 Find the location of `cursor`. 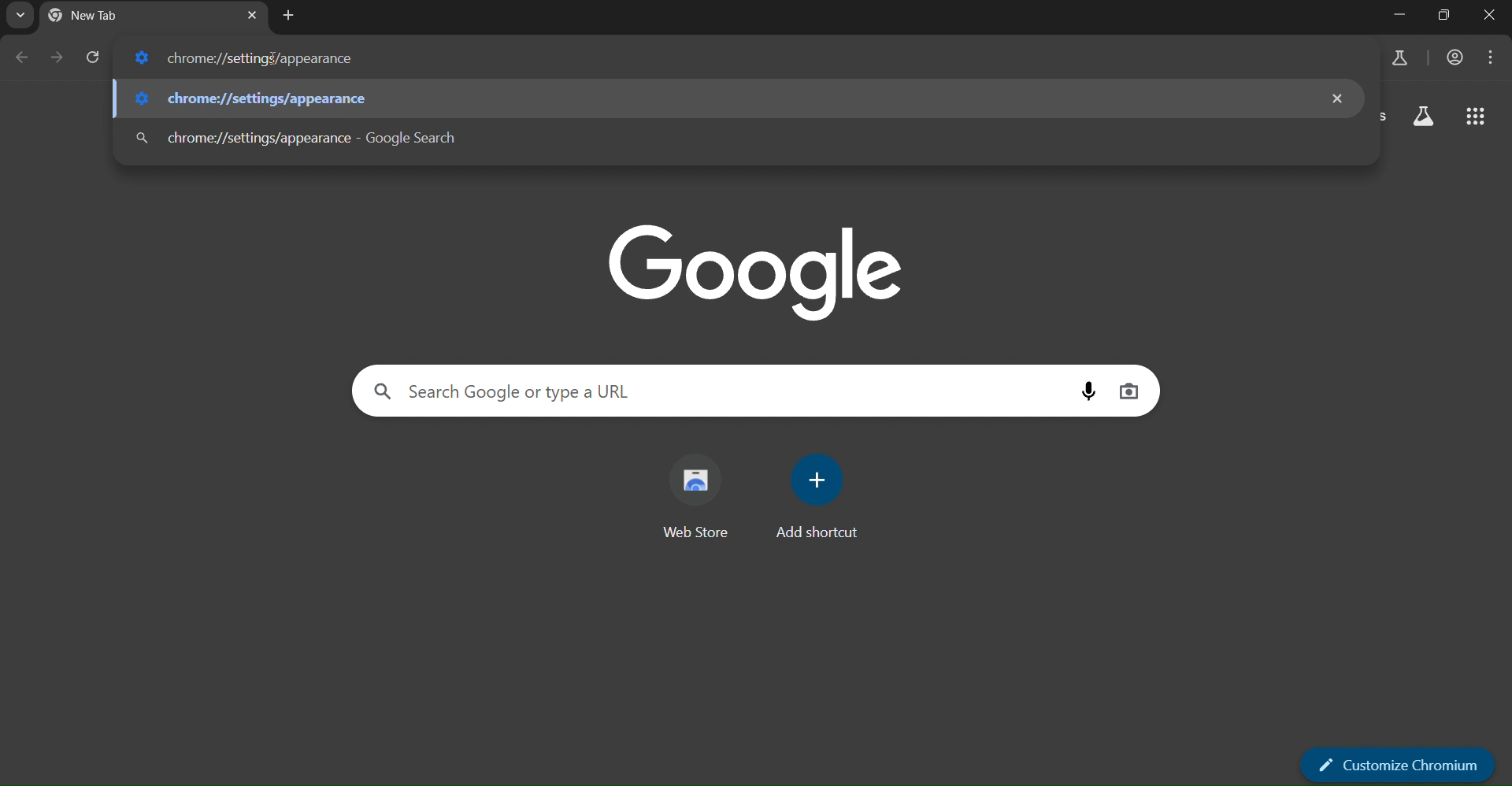

cursor is located at coordinates (276, 61).